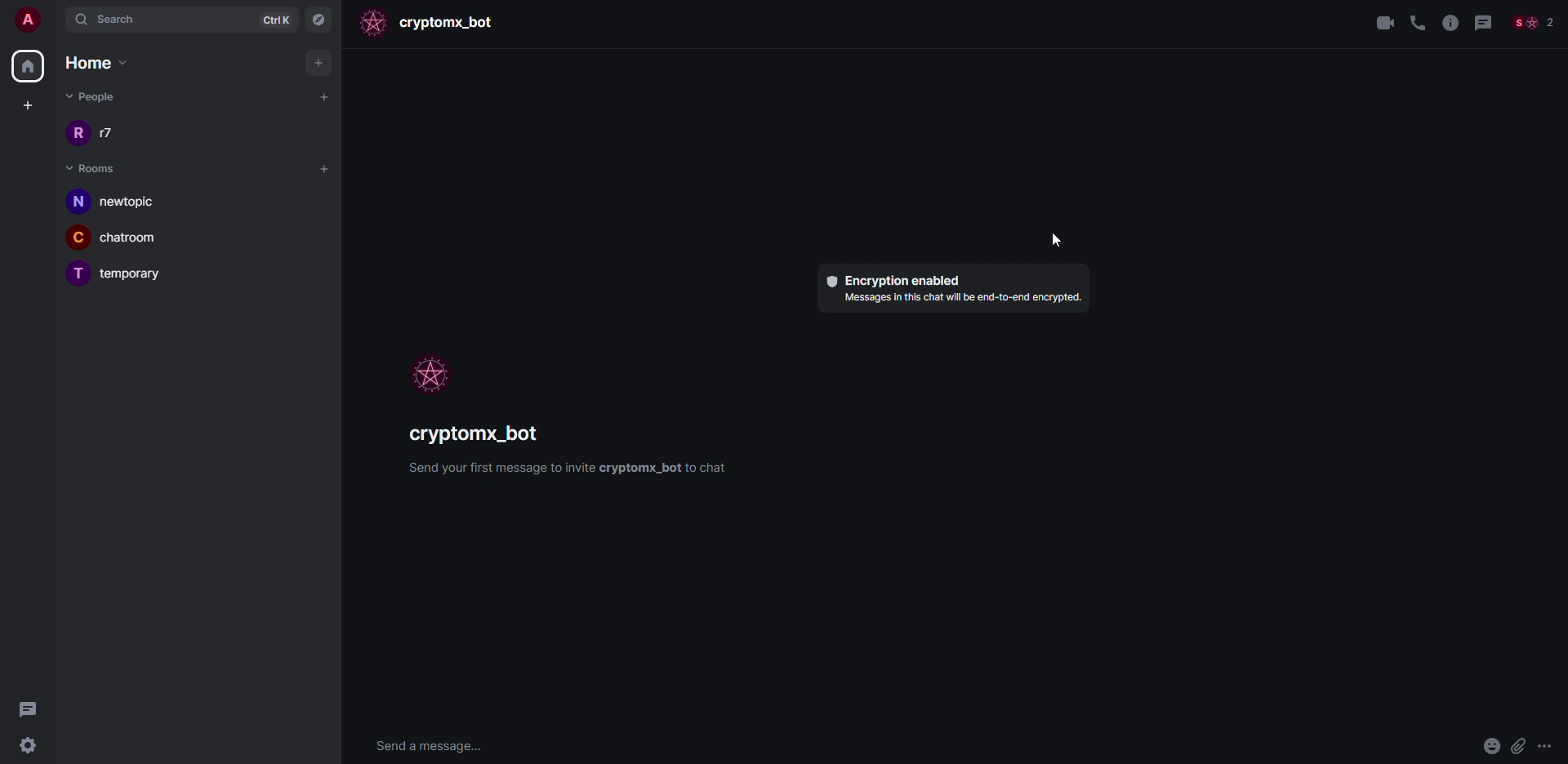 This screenshot has height=764, width=1568. Describe the element at coordinates (1414, 22) in the screenshot. I see `voice call` at that location.